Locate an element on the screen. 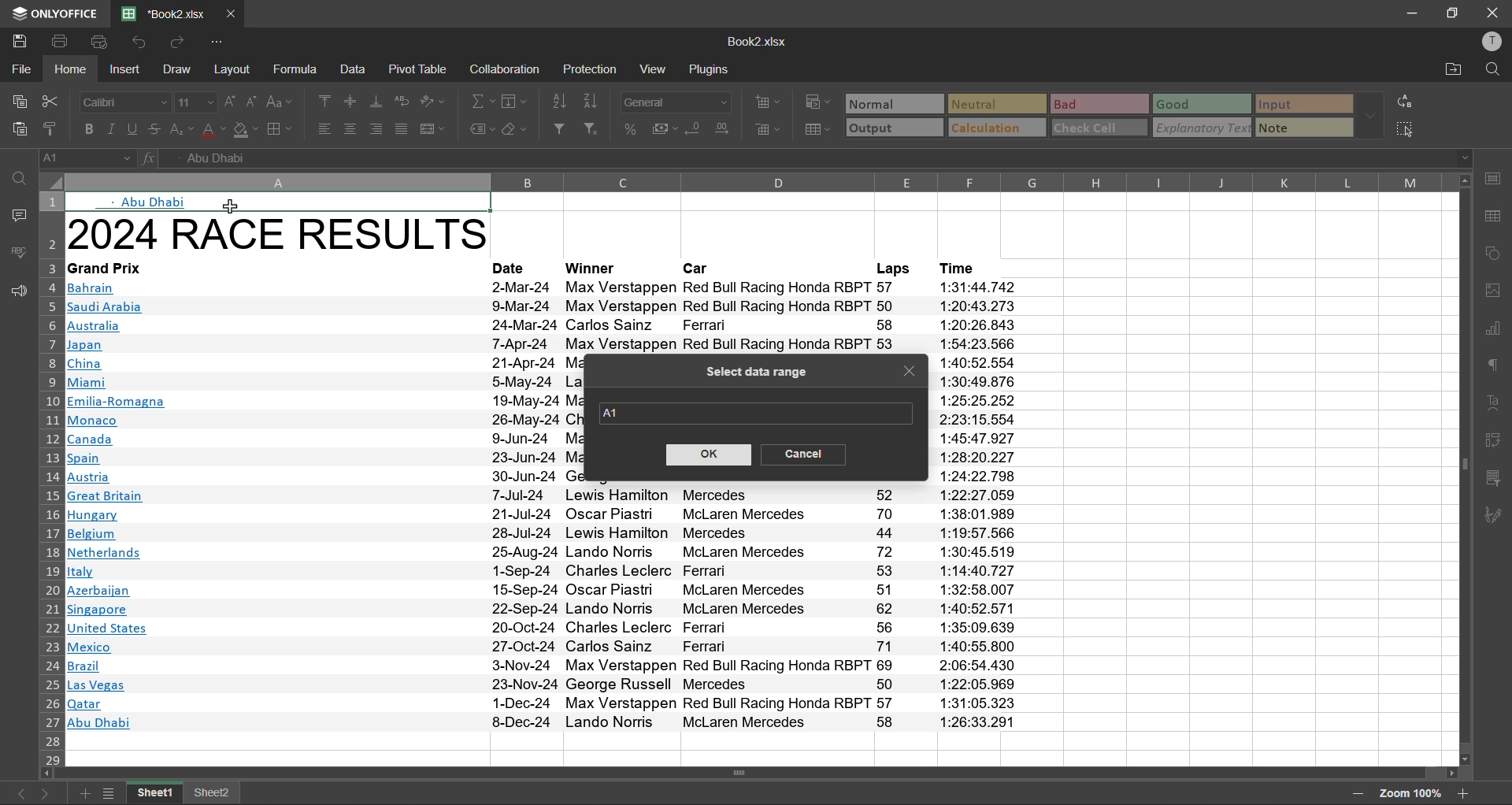  decrease decimal is located at coordinates (695, 129).